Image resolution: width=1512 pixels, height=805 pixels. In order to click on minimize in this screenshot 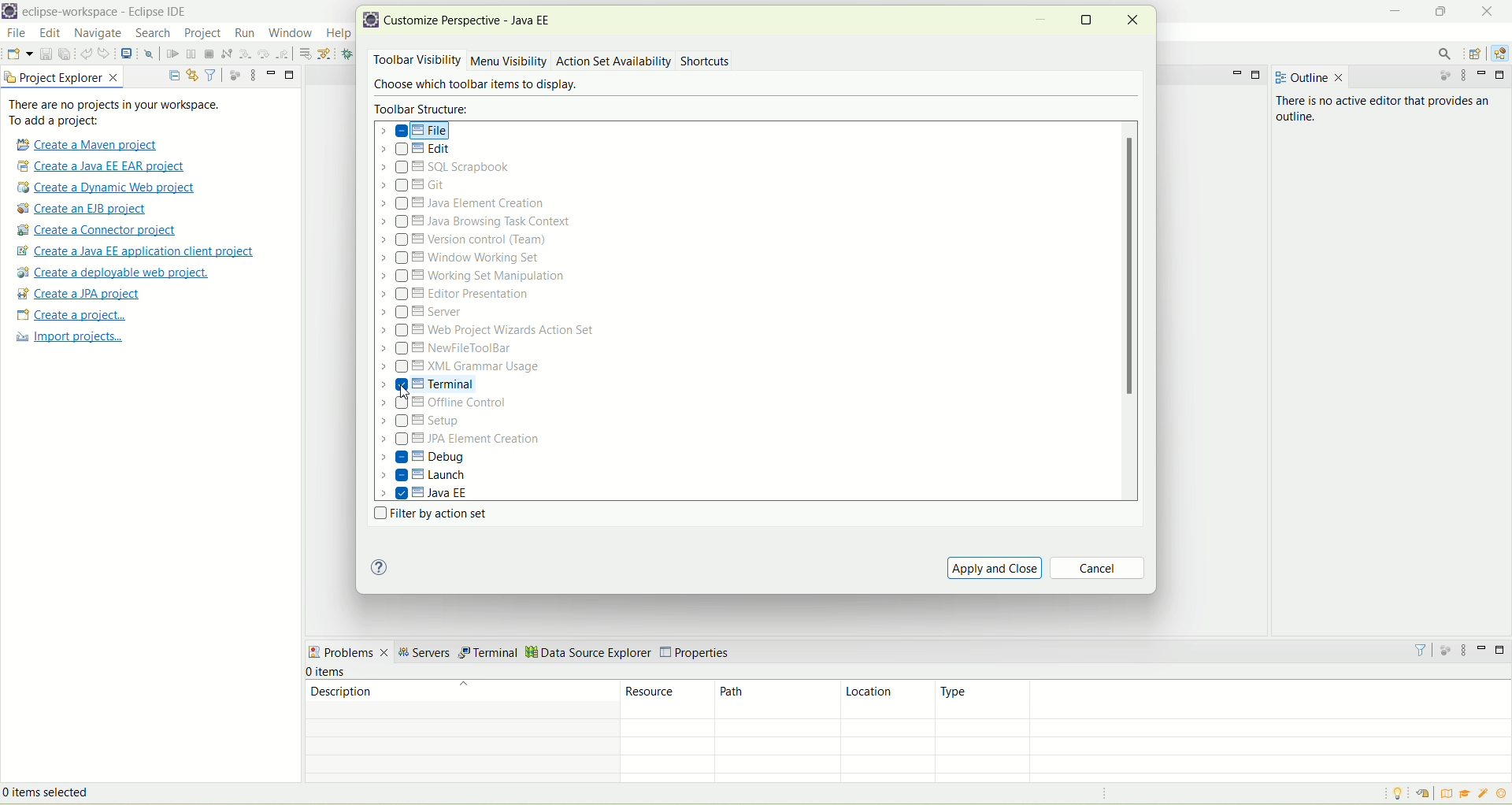, I will do `click(1395, 9)`.